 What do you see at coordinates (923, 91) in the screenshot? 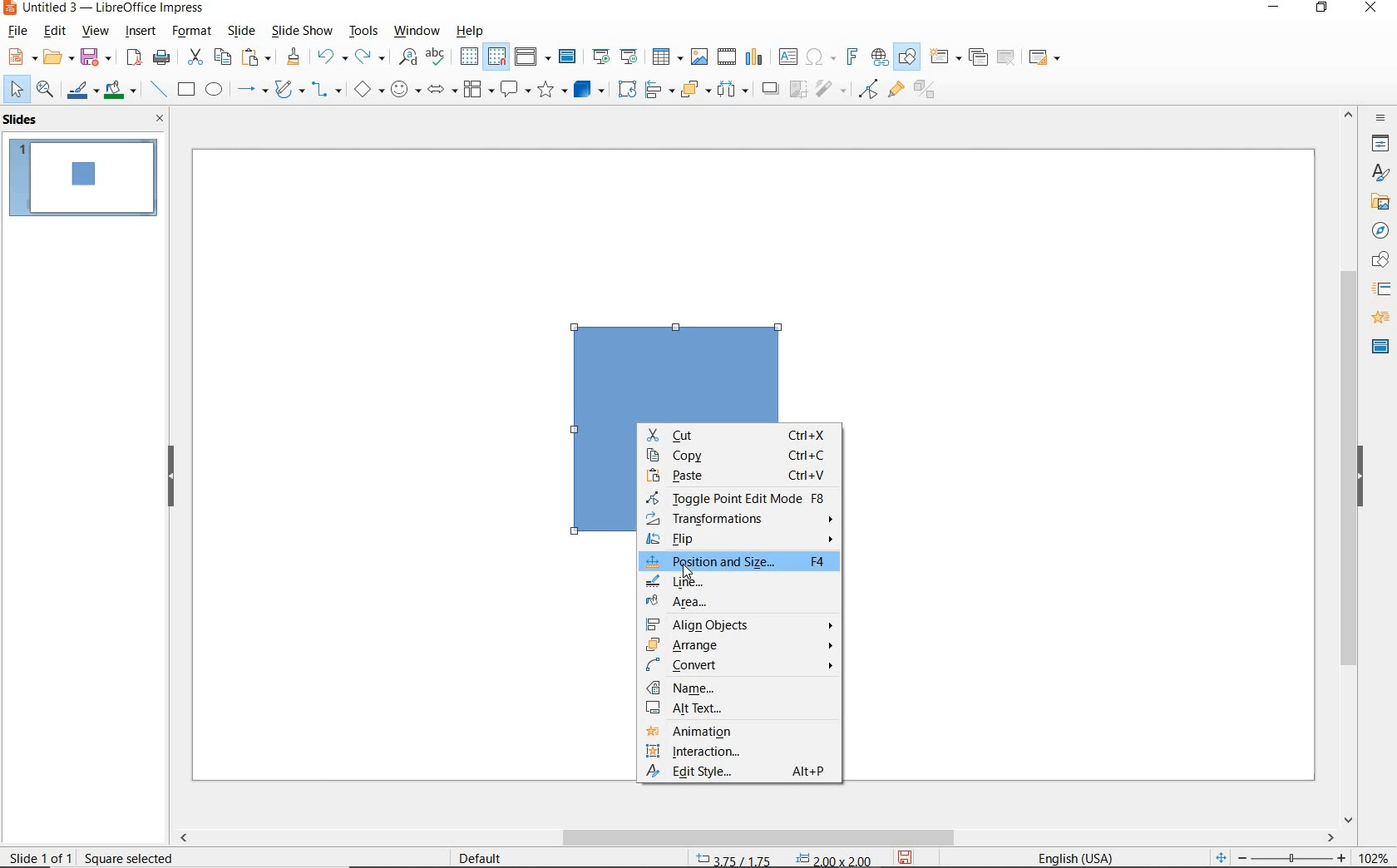
I see `toggle extrusion` at bounding box center [923, 91].